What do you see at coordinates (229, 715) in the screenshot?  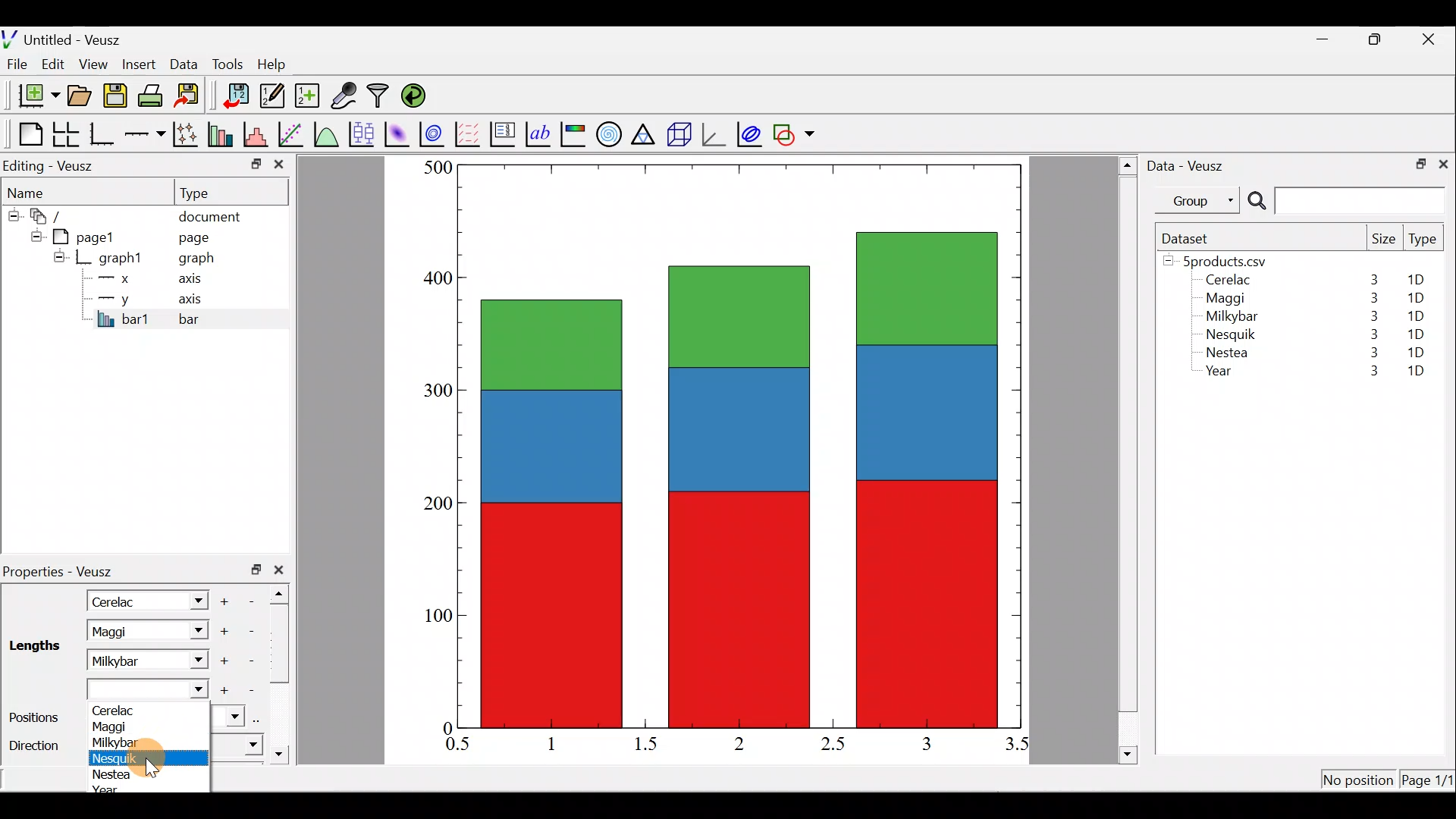 I see `Positions dropdown` at bounding box center [229, 715].